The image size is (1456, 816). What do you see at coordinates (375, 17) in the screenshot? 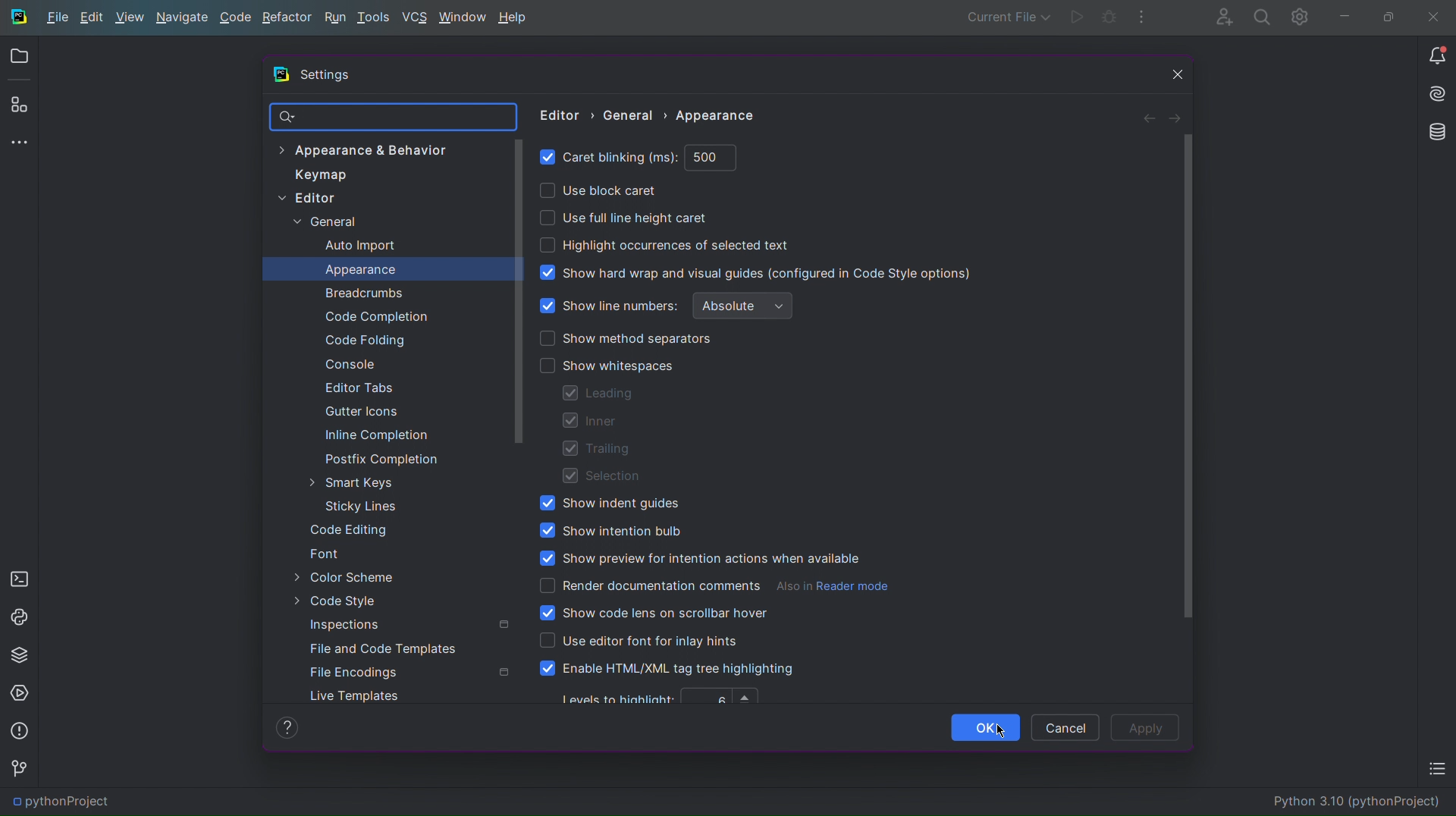
I see `Tools` at bounding box center [375, 17].